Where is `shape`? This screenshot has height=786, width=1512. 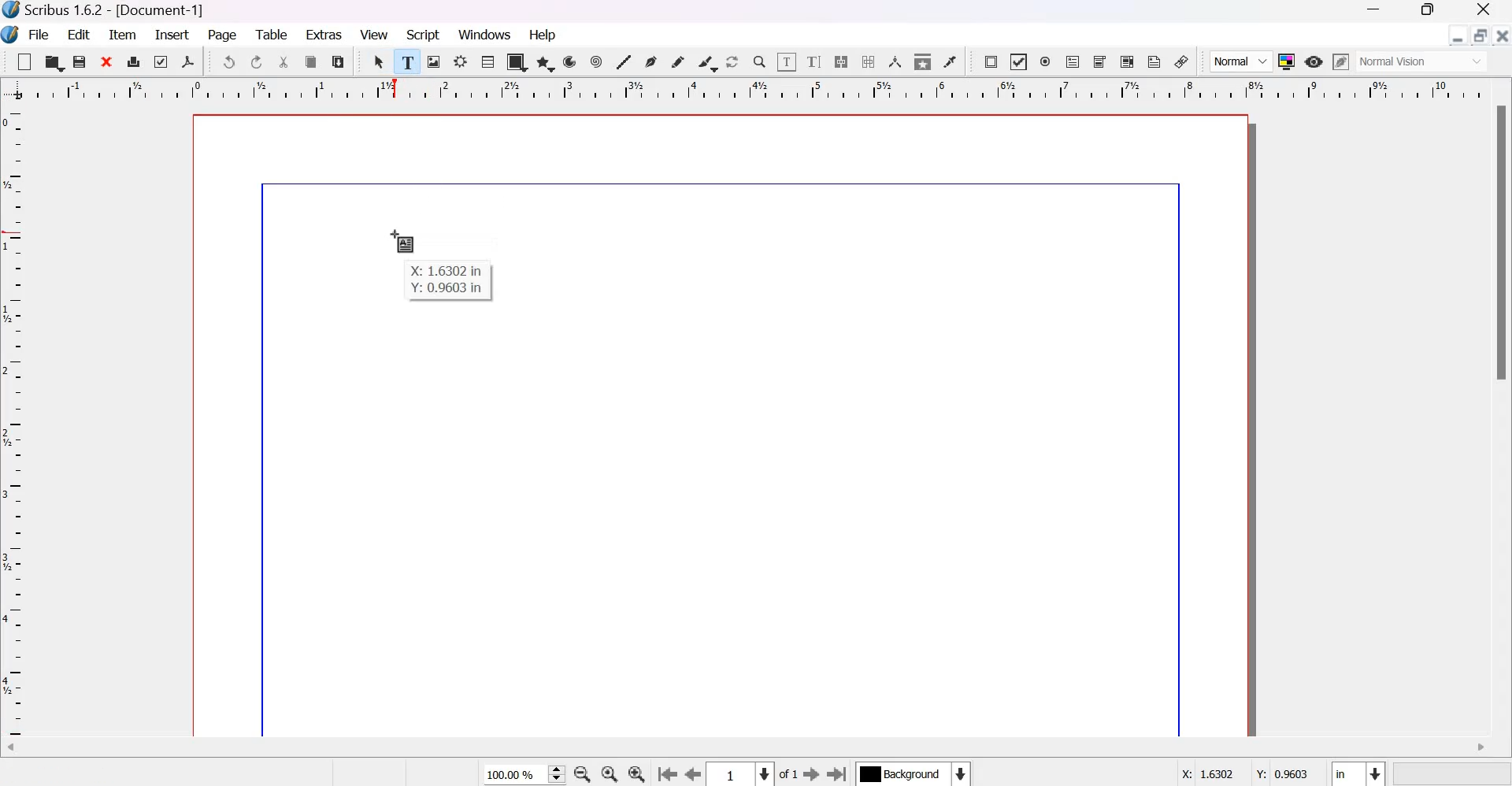
shape is located at coordinates (517, 61).